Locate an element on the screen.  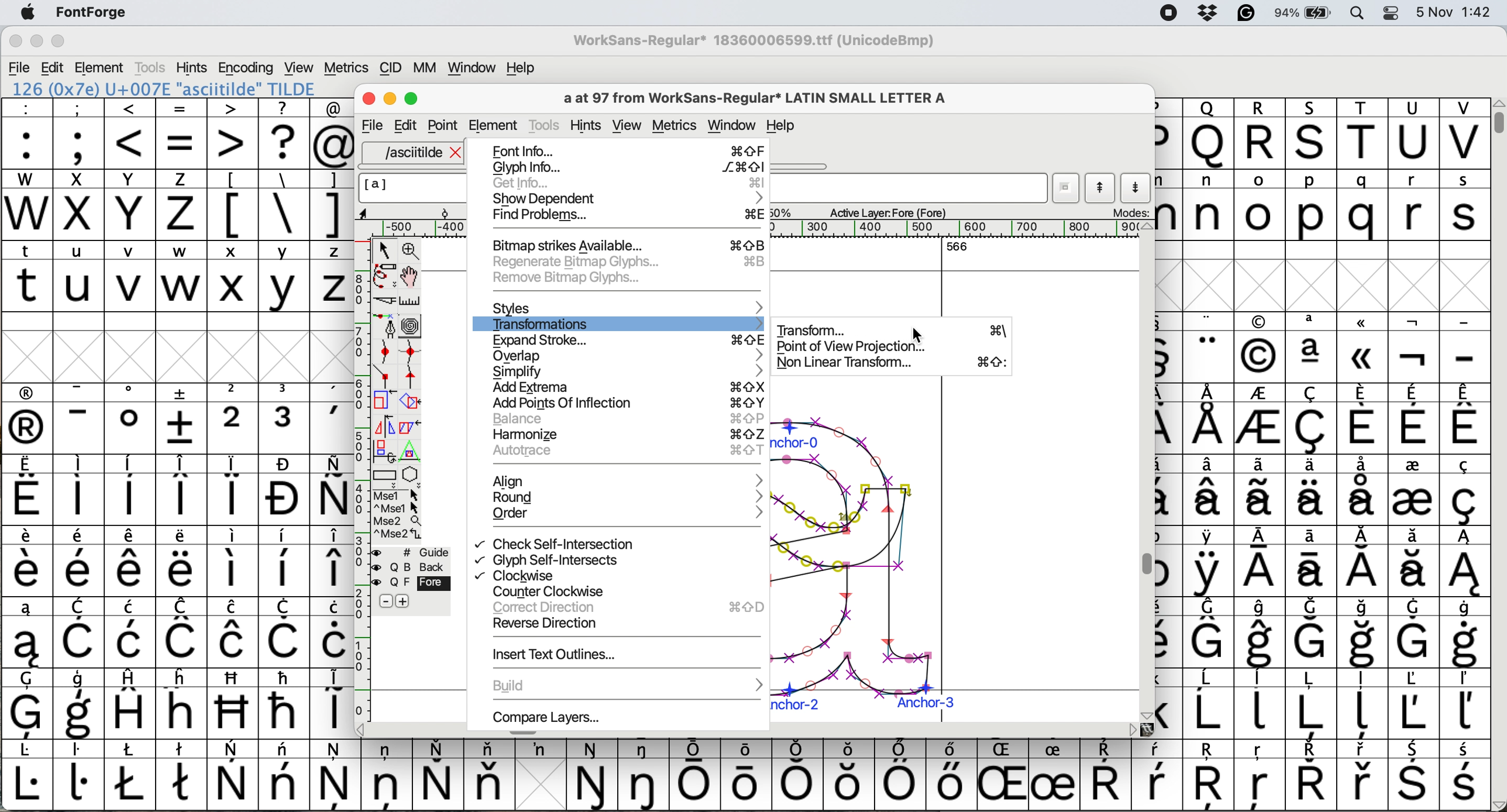
W is located at coordinates (29, 205).